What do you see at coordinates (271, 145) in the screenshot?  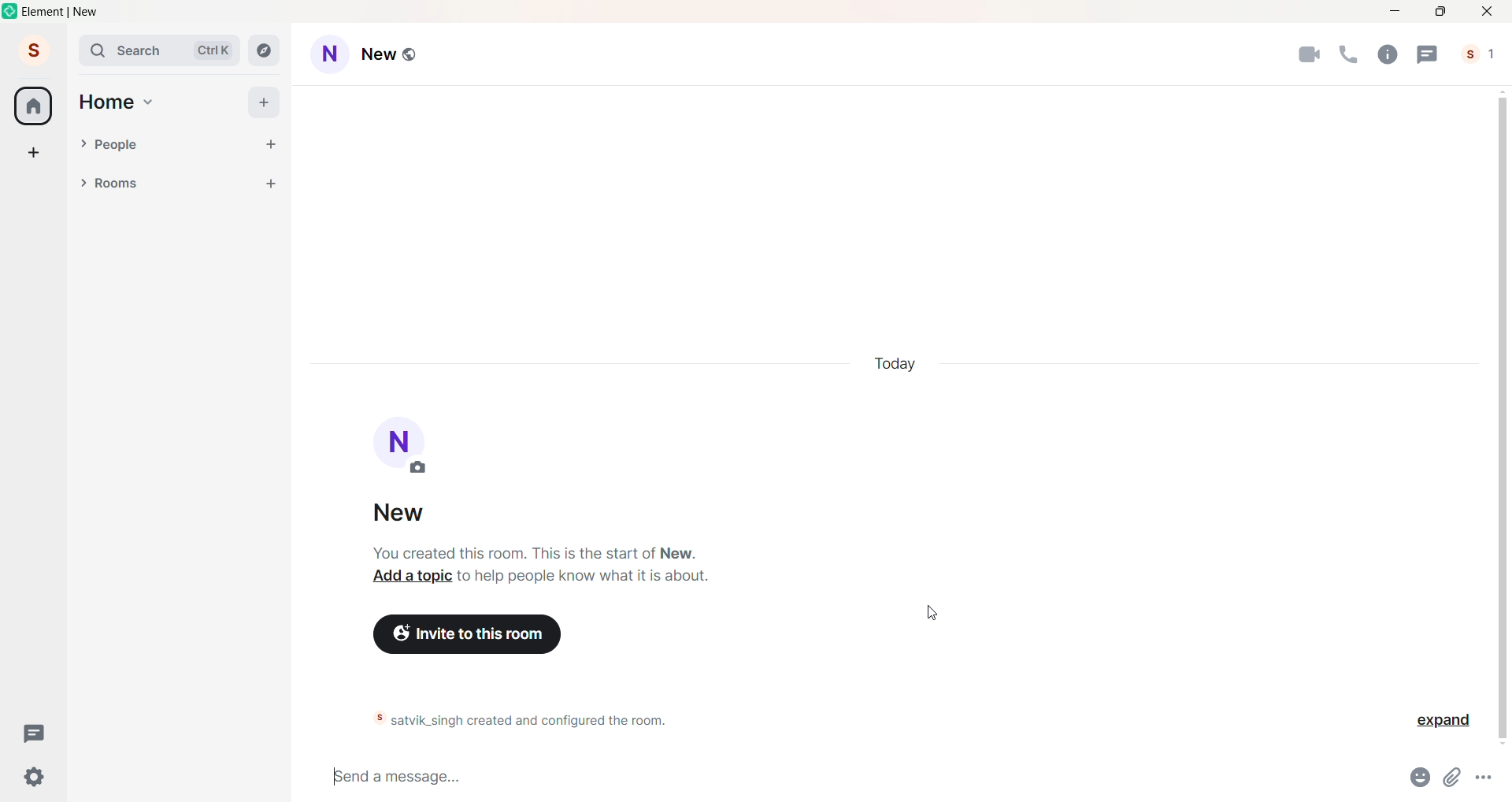 I see `Add People` at bounding box center [271, 145].